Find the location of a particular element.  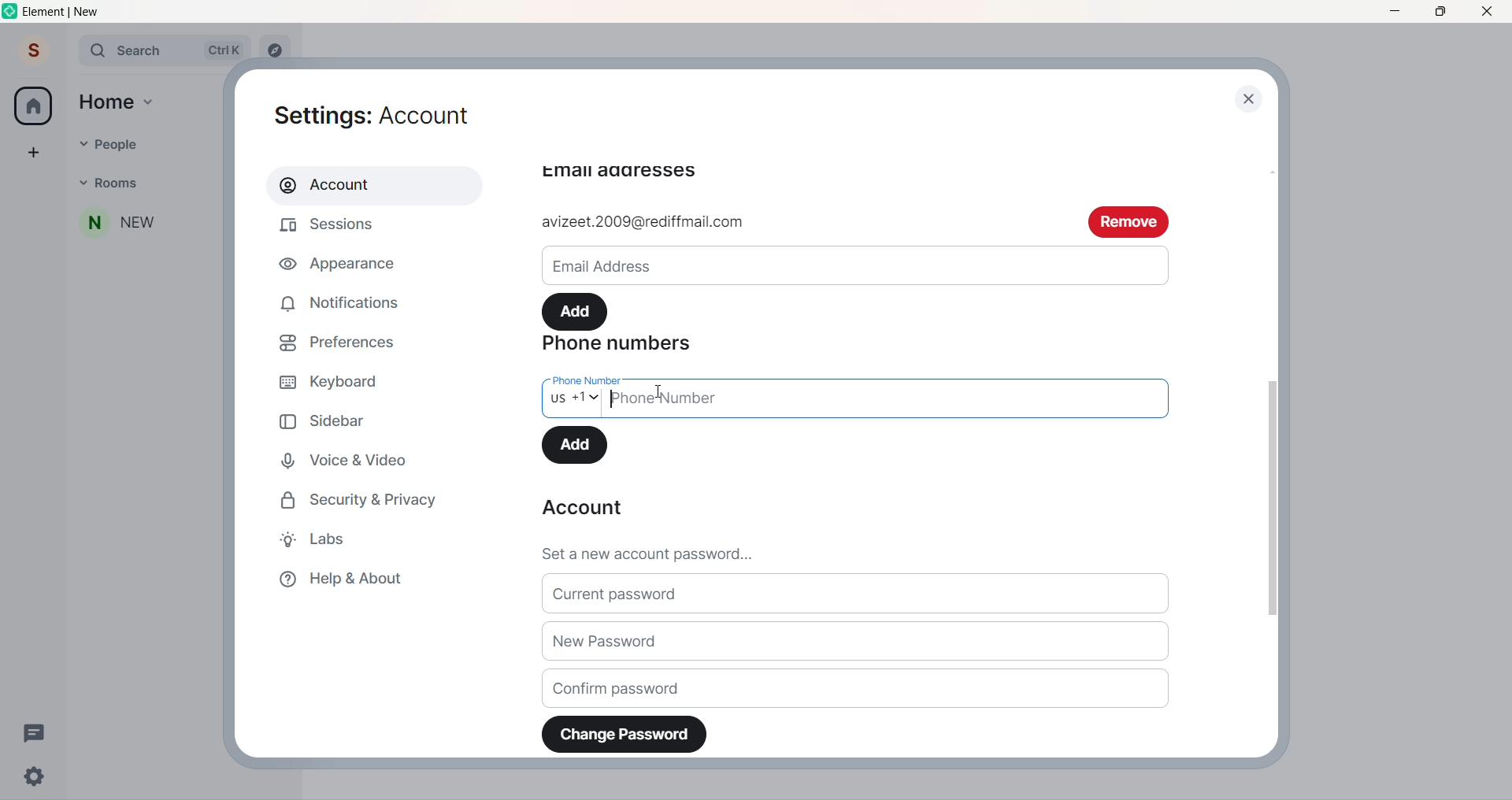

Sessions is located at coordinates (339, 226).